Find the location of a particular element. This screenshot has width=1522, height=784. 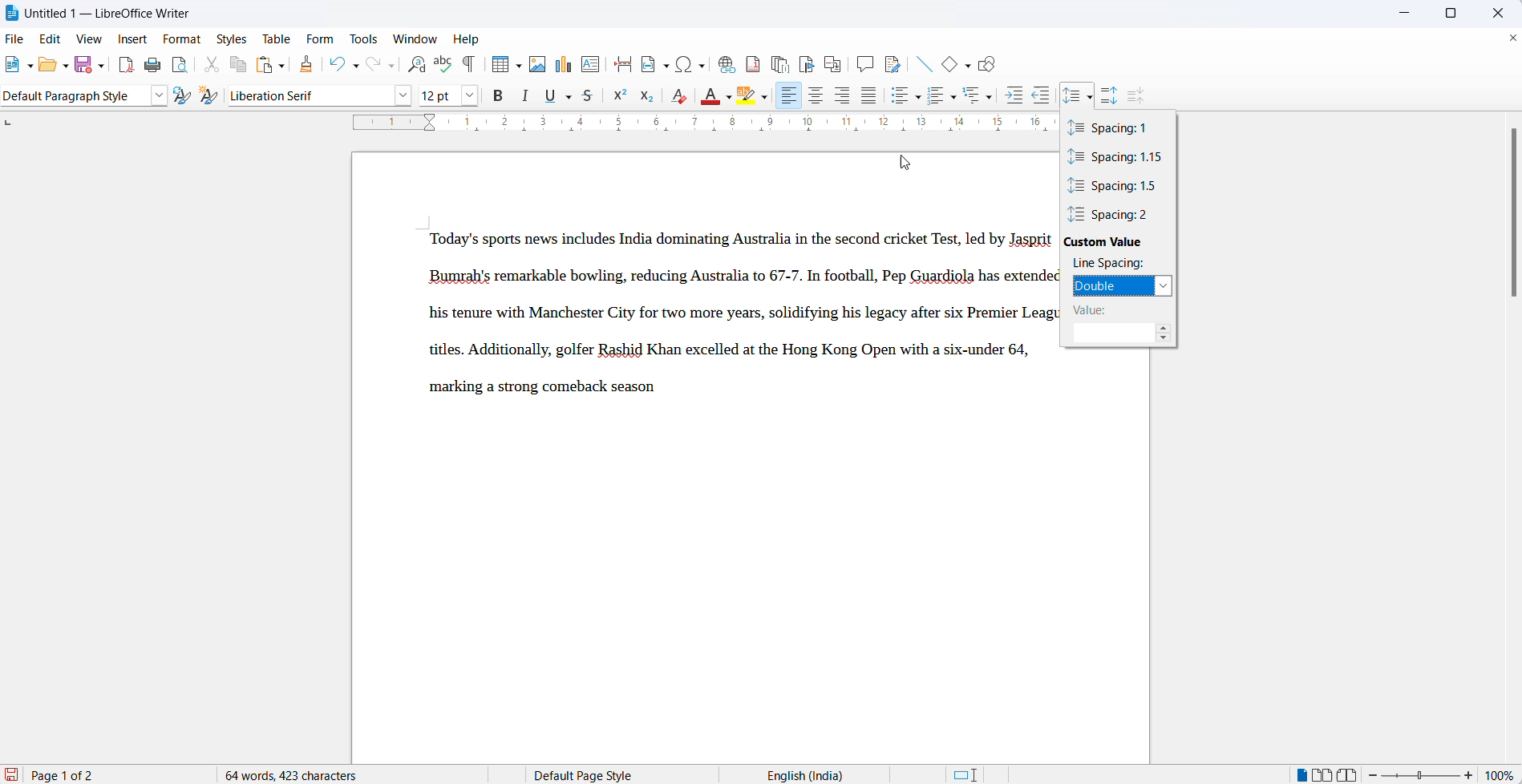

insert bookmark is located at coordinates (805, 62).